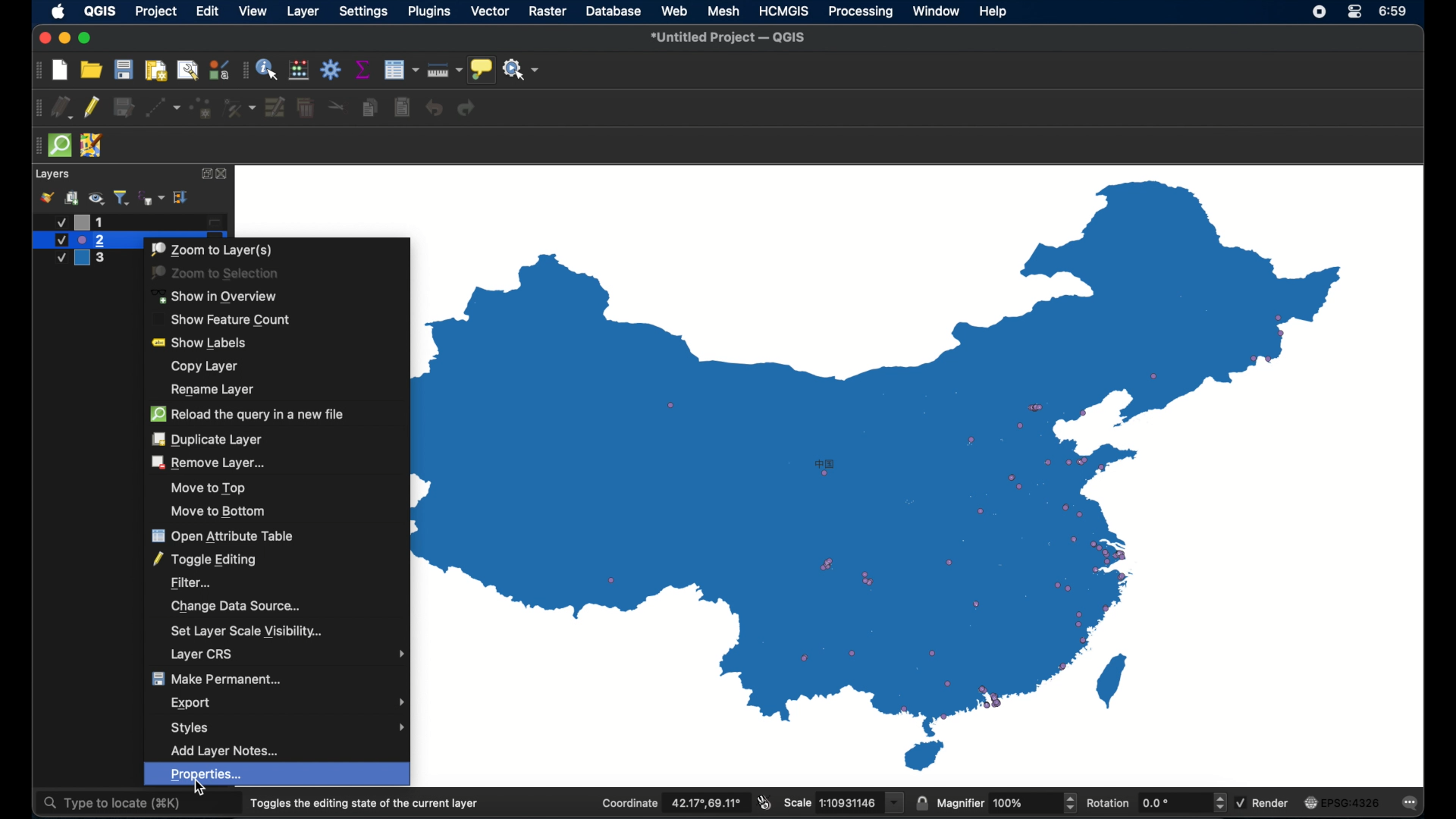 The width and height of the screenshot is (1456, 819). What do you see at coordinates (92, 145) in the screenshot?
I see `jsom remote` at bounding box center [92, 145].